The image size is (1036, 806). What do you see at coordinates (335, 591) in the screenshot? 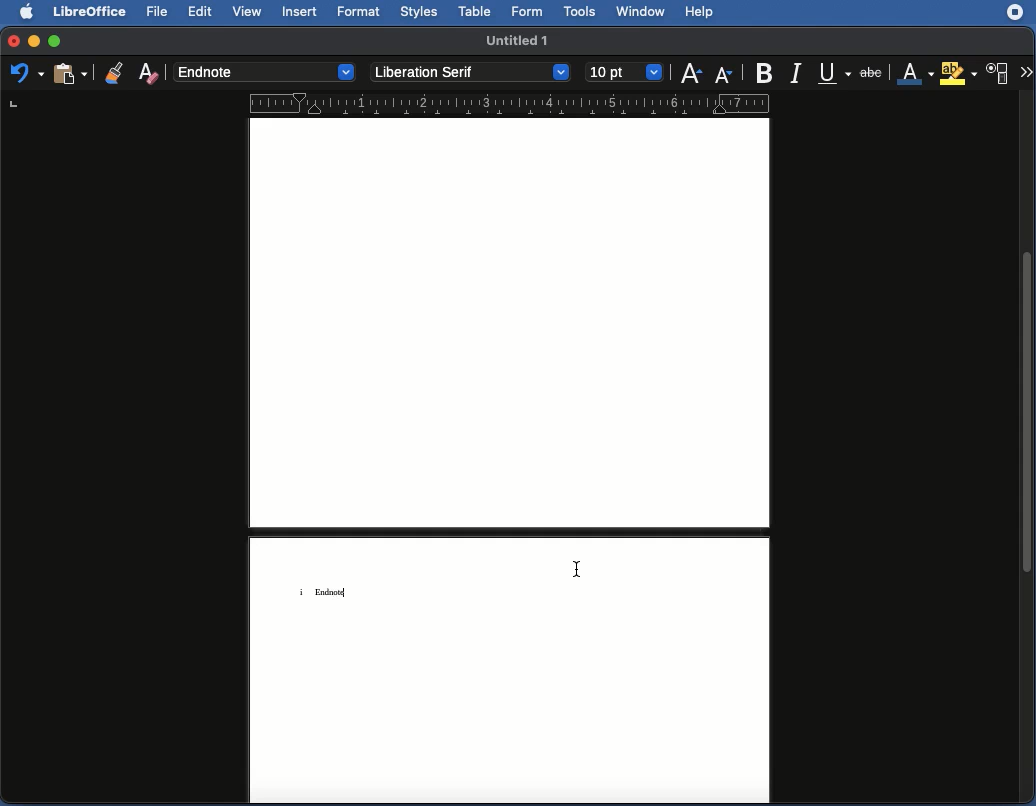
I see `Endnote` at bounding box center [335, 591].